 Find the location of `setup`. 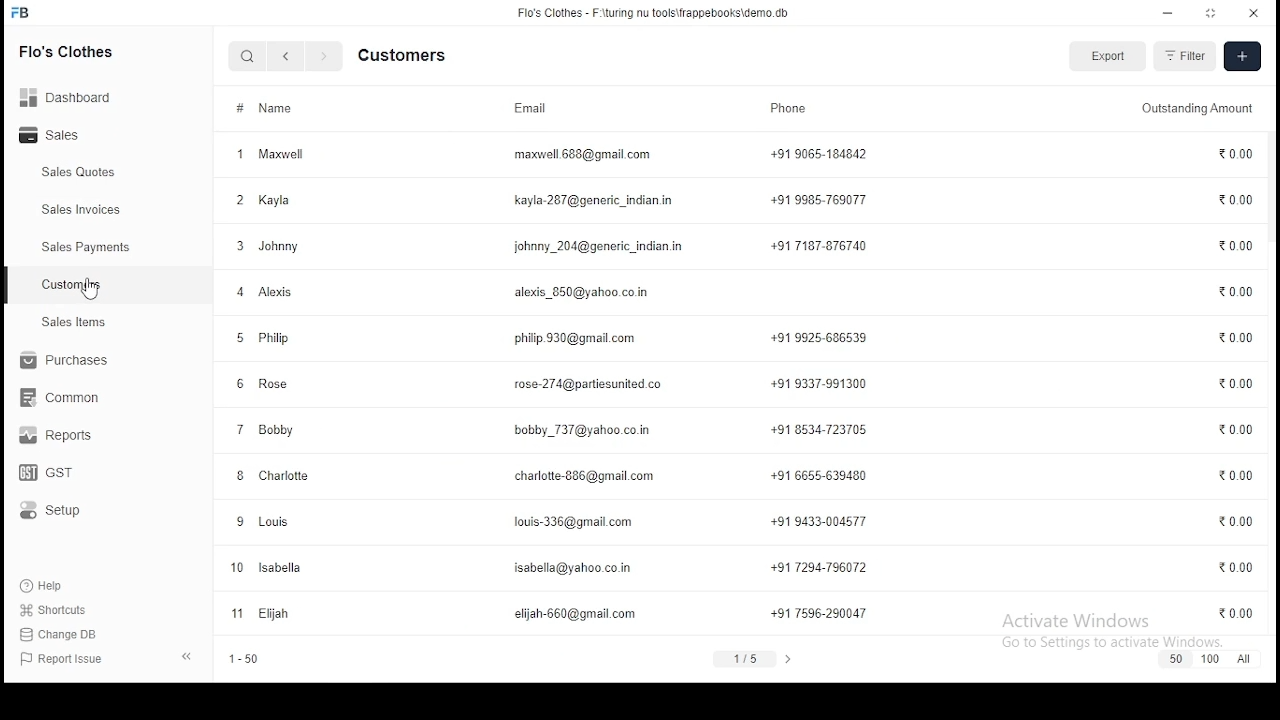

setup is located at coordinates (59, 511).